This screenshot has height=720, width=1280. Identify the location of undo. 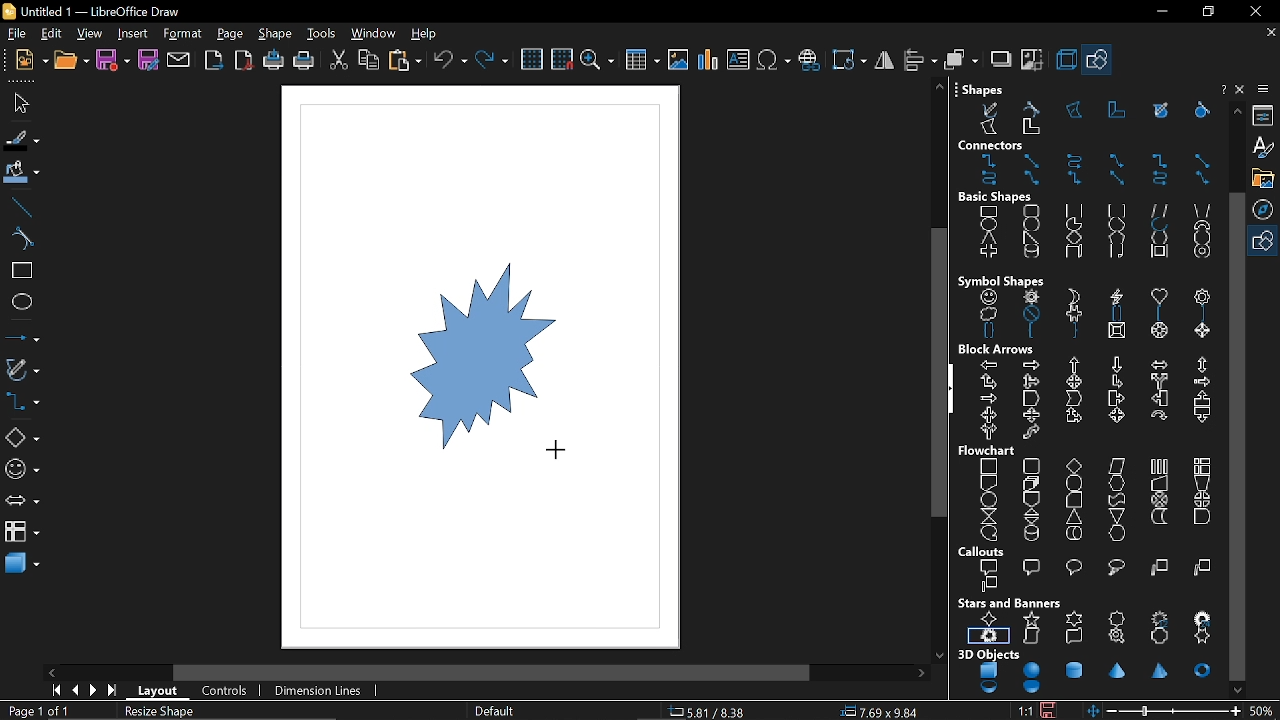
(450, 61).